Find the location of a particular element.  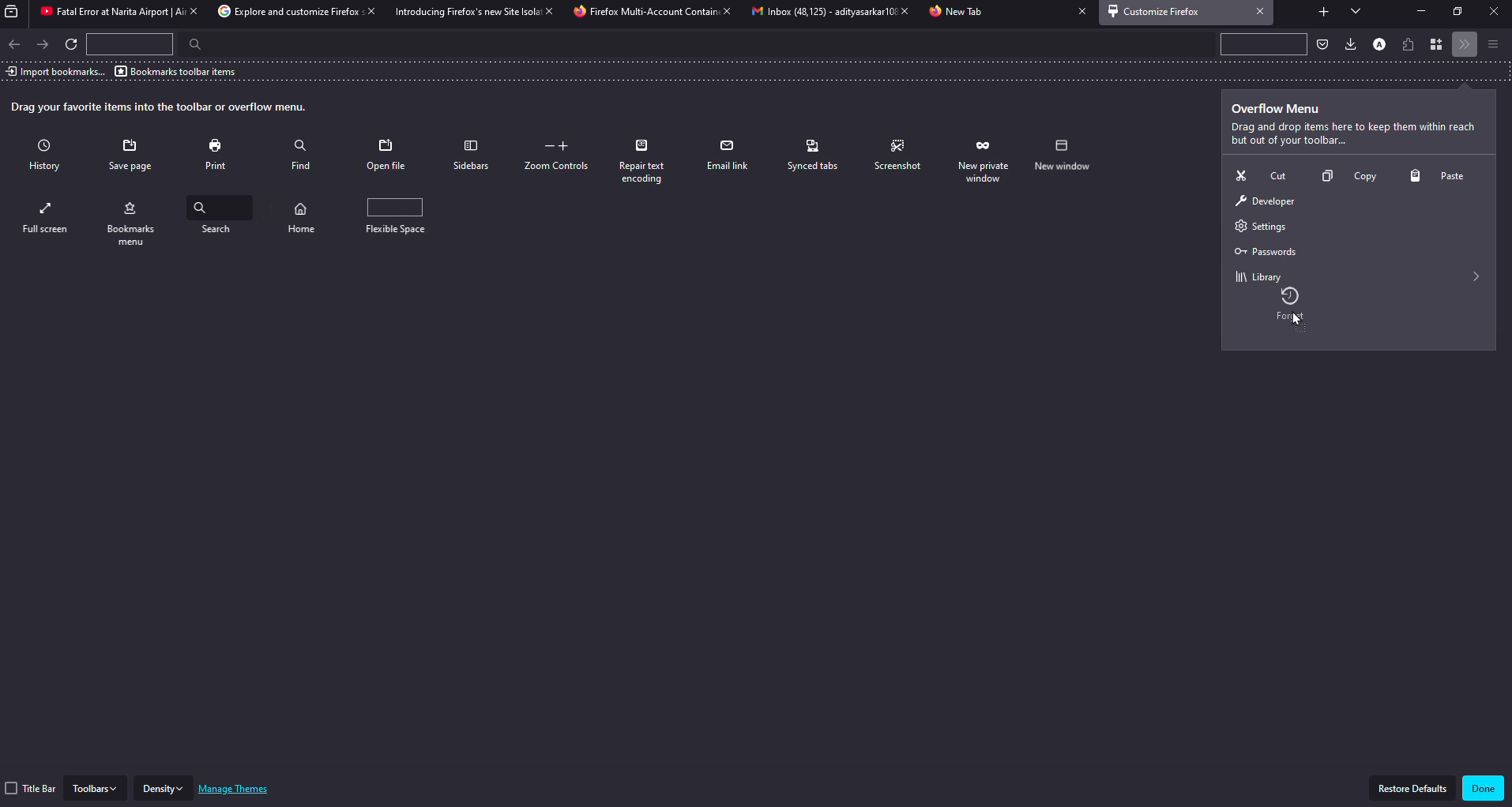

search is located at coordinates (190, 44).